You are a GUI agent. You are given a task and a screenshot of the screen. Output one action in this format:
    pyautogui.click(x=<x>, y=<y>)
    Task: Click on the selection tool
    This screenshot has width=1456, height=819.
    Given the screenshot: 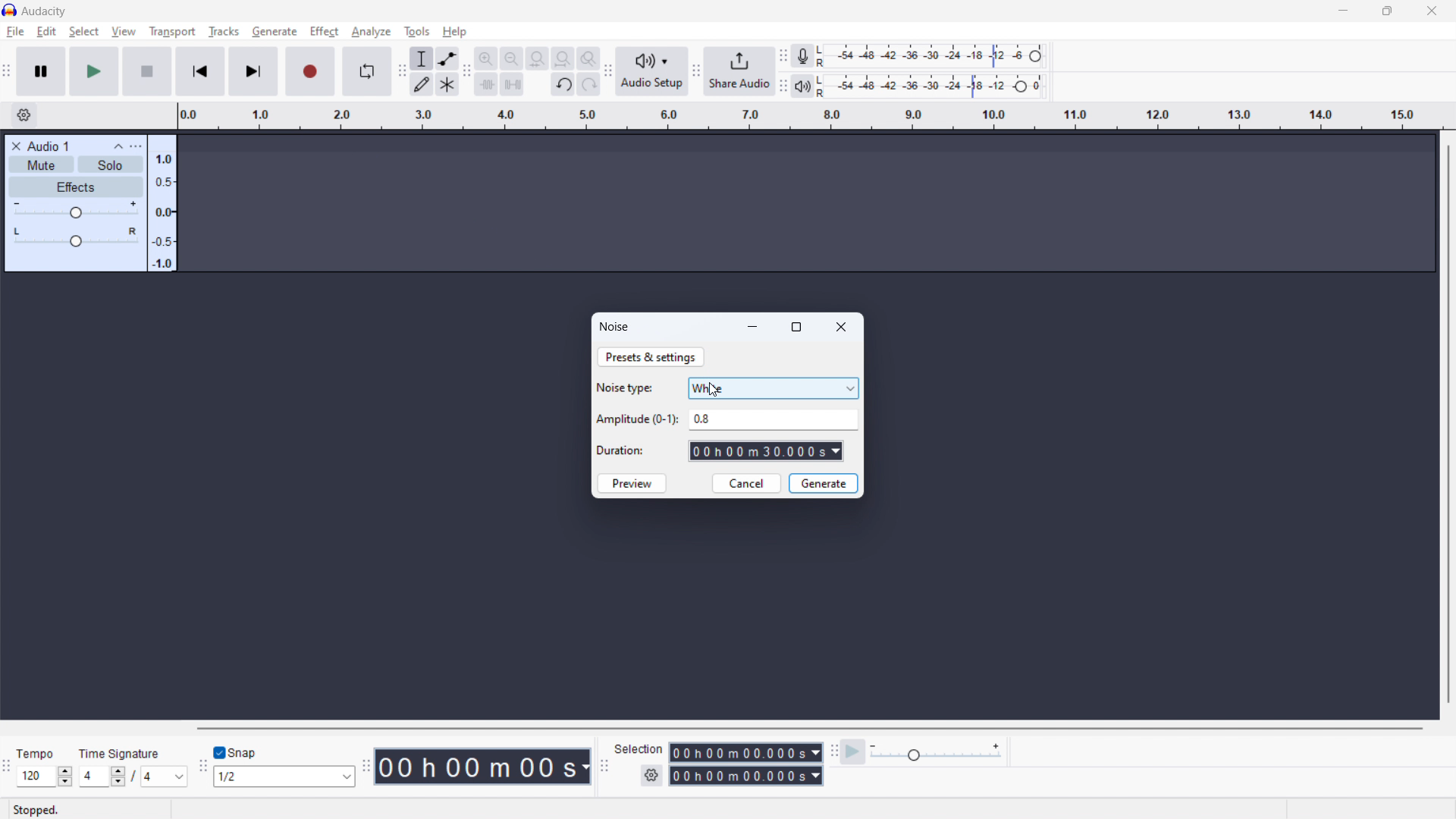 What is the action you would take?
    pyautogui.click(x=422, y=58)
    